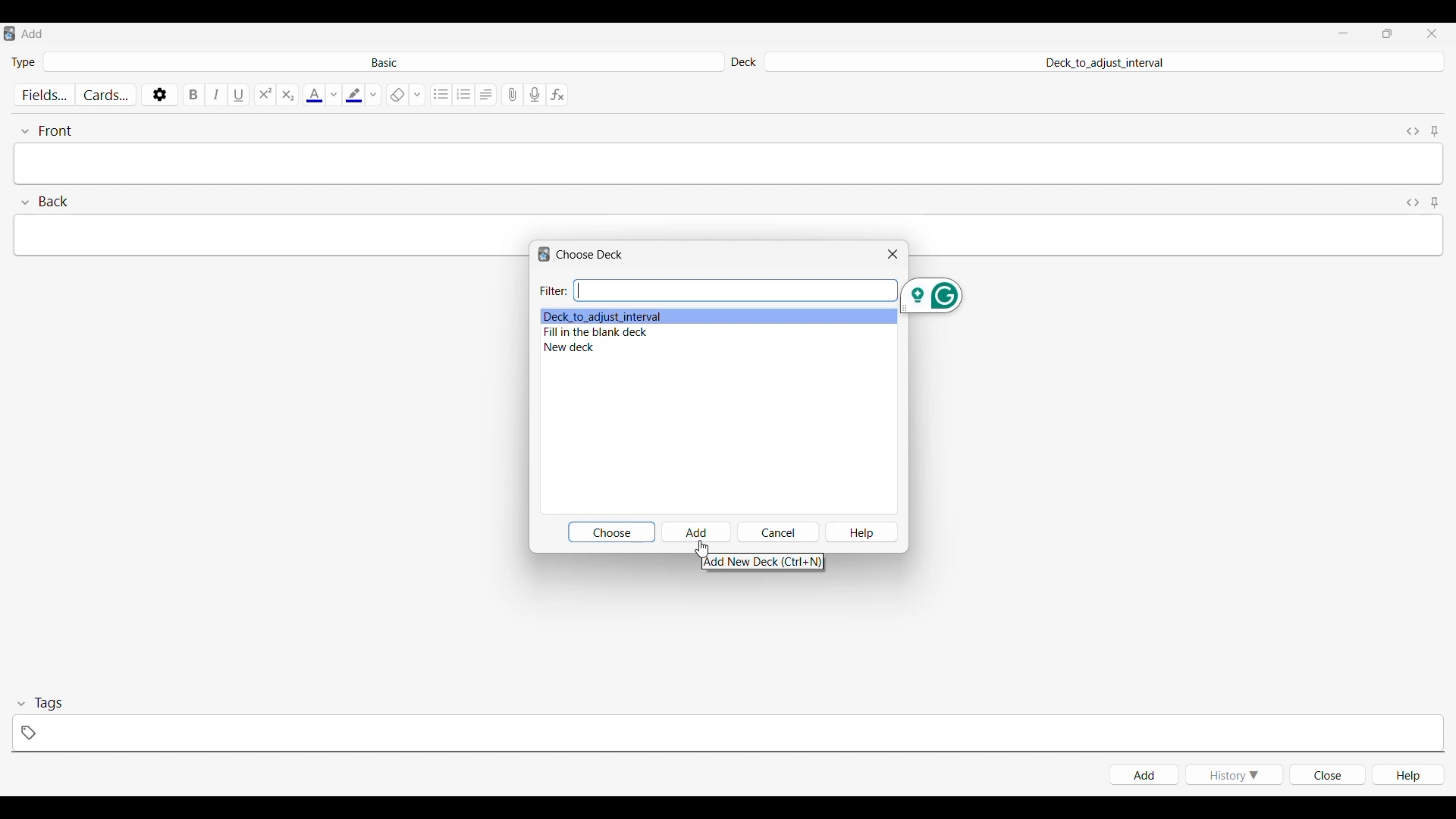 The image size is (1456, 819). What do you see at coordinates (1343, 33) in the screenshot?
I see `Minimize` at bounding box center [1343, 33].